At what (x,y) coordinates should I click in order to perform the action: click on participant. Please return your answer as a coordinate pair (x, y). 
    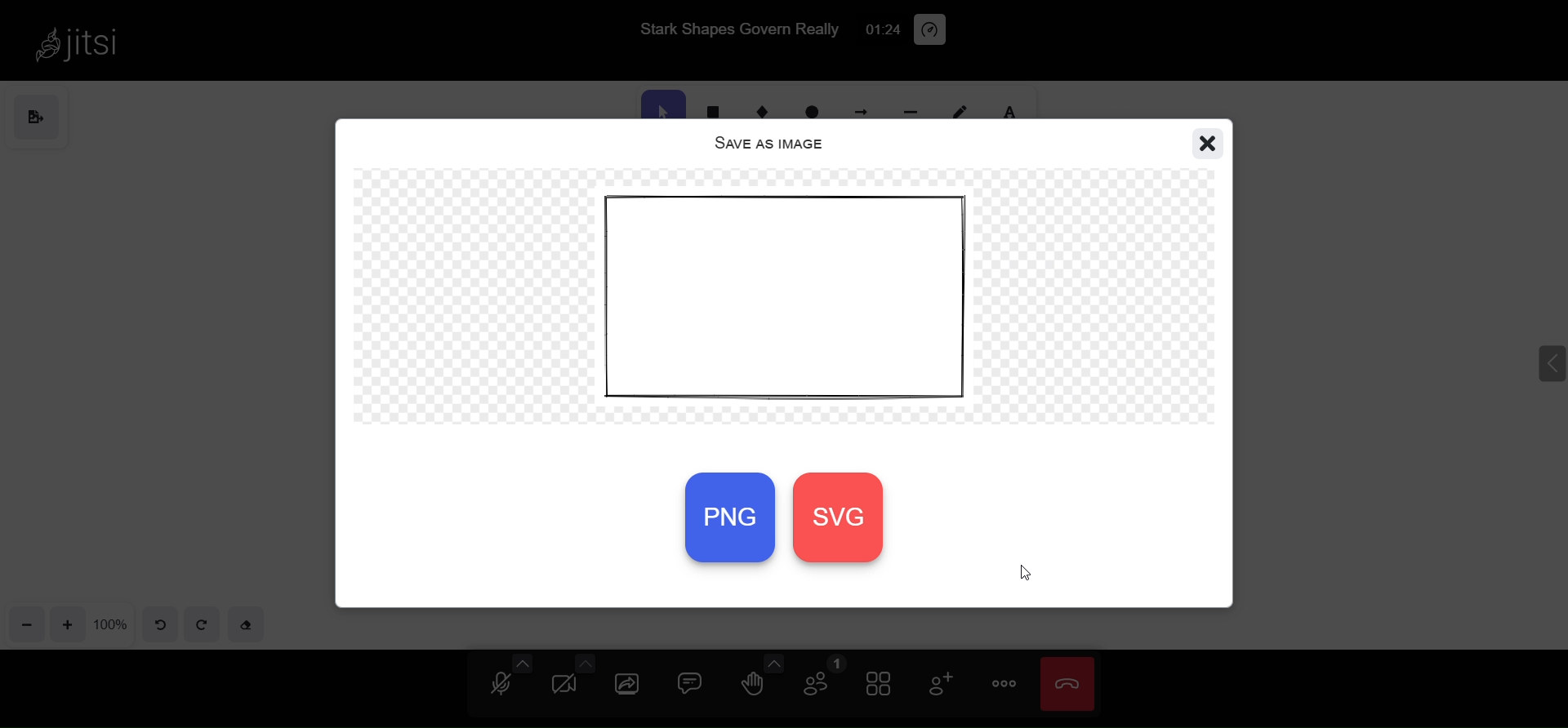
    Looking at the image, I should click on (820, 680).